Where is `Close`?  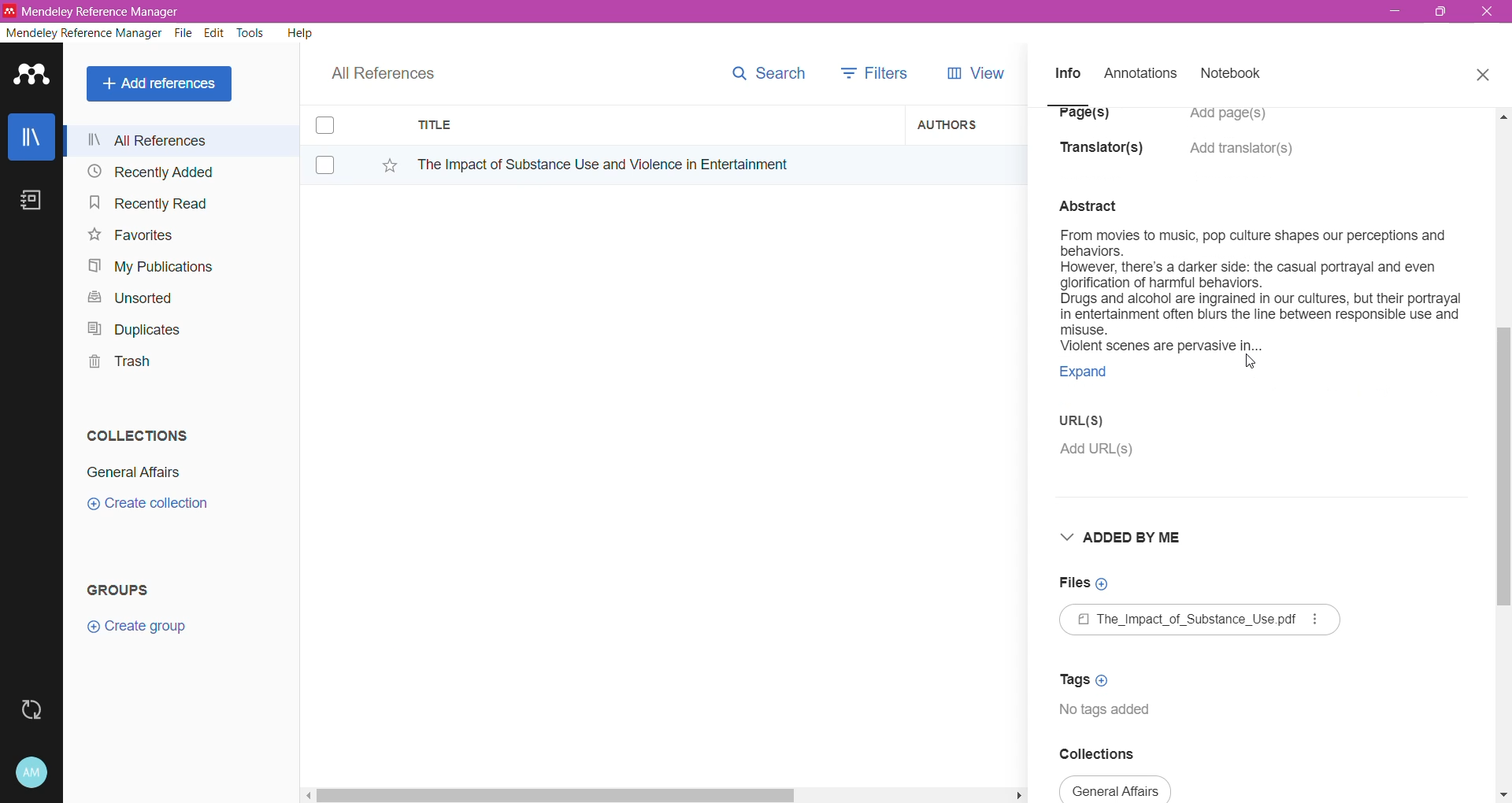 Close is located at coordinates (1488, 13).